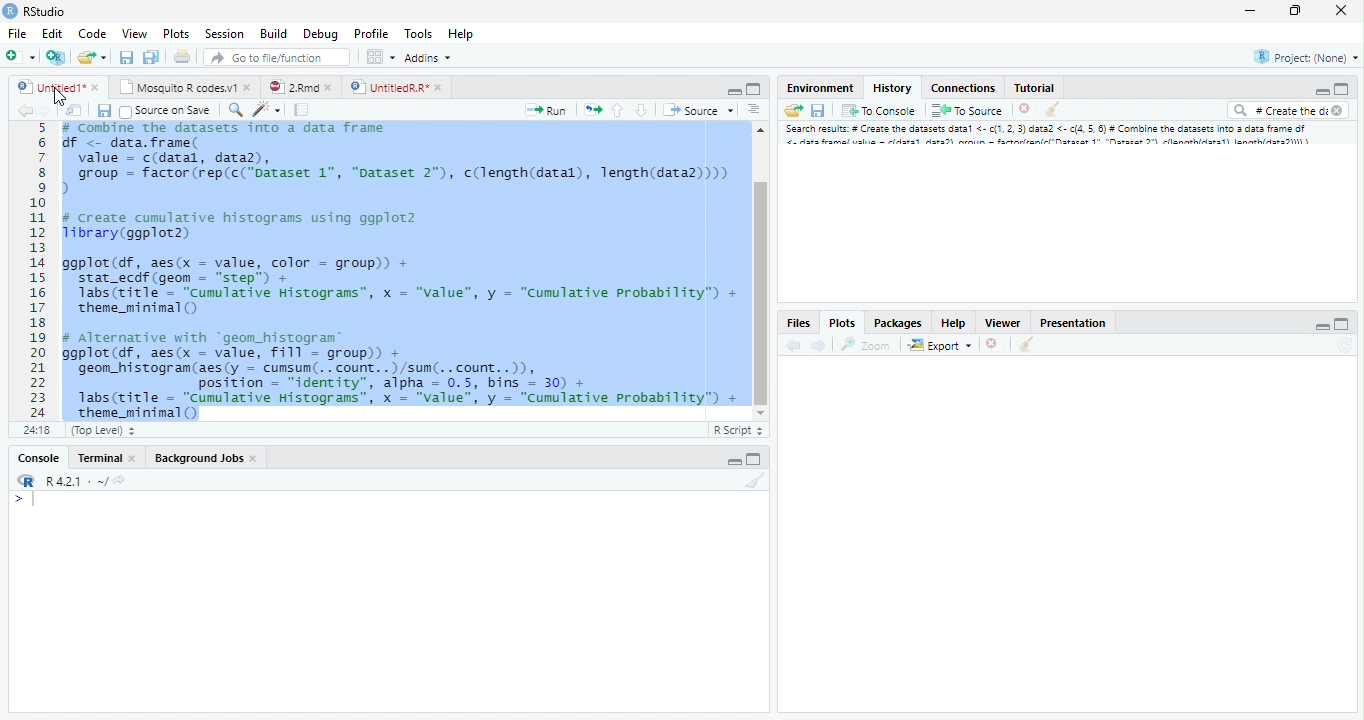 The width and height of the screenshot is (1364, 720). Describe the element at coordinates (798, 321) in the screenshot. I see `Files` at that location.